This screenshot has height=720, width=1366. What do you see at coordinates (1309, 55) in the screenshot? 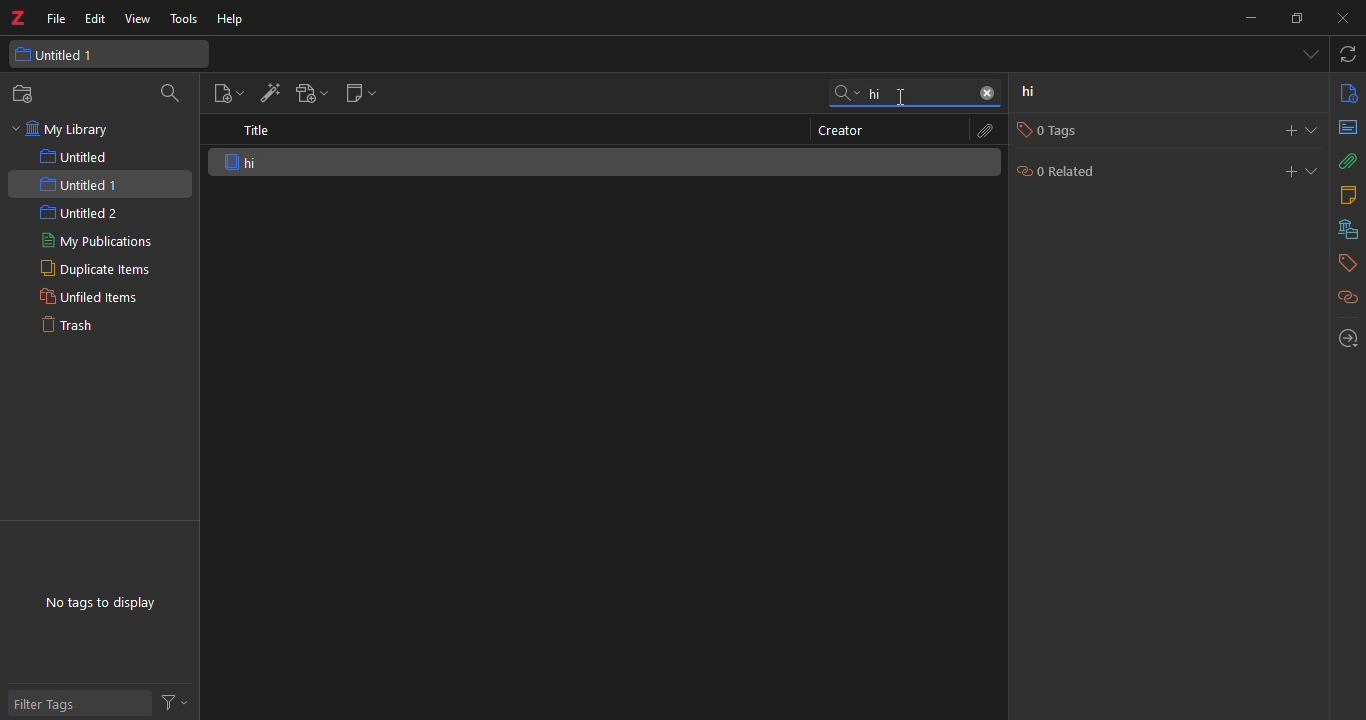
I see `tabs` at bounding box center [1309, 55].